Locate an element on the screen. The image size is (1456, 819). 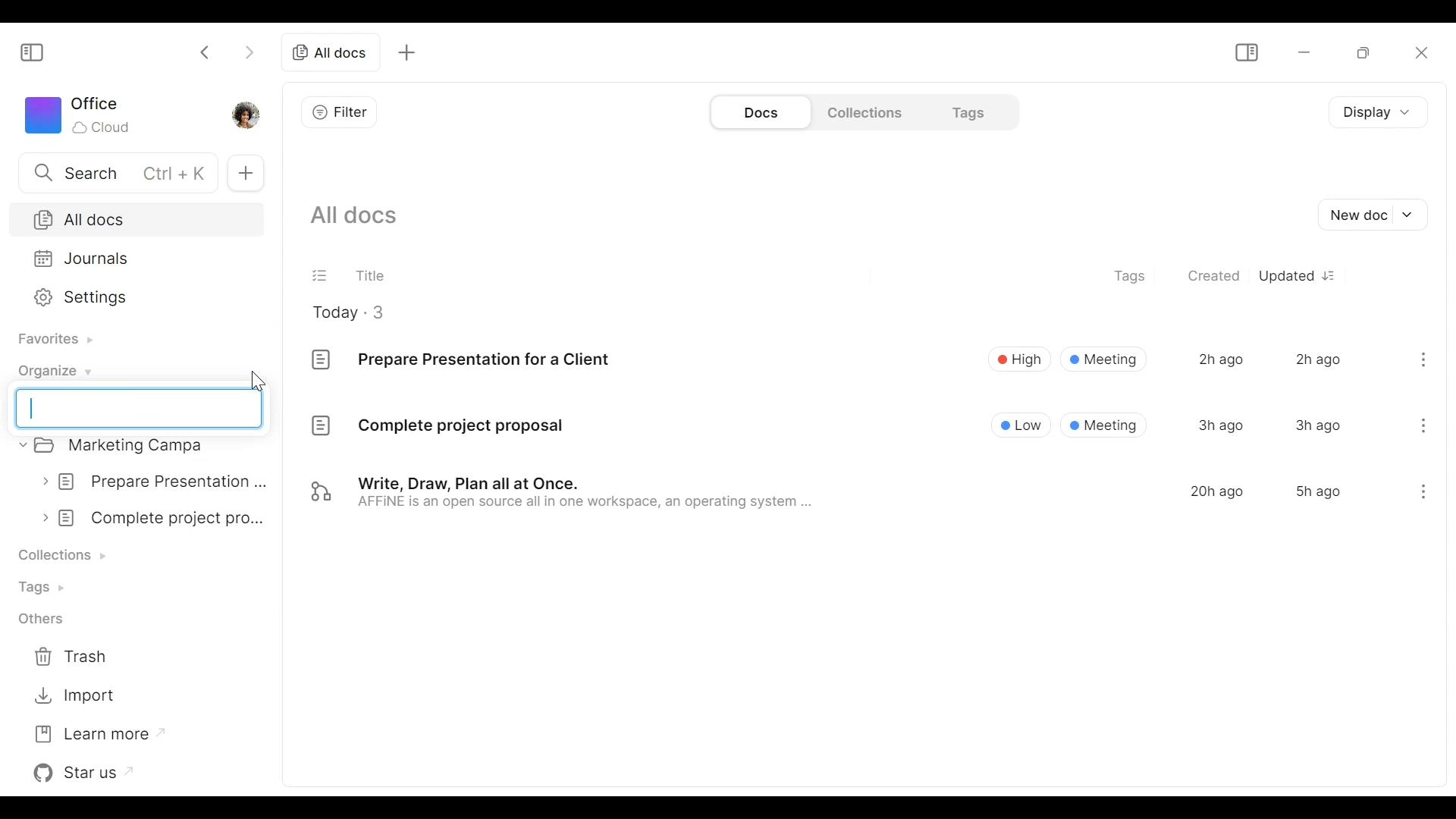
Search is located at coordinates (115, 171).